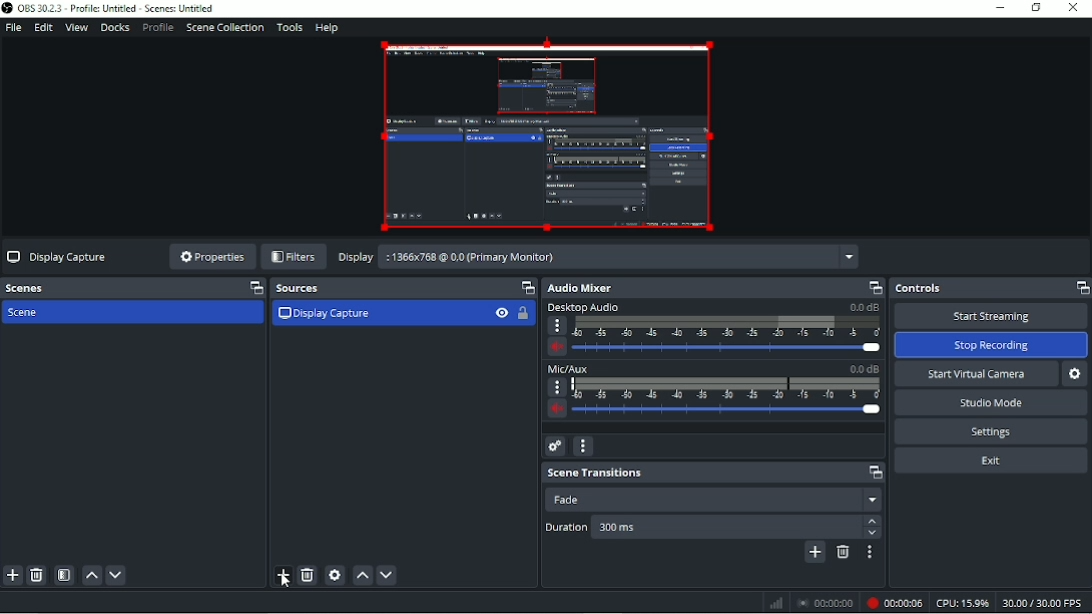  What do you see at coordinates (990, 431) in the screenshot?
I see `Settings` at bounding box center [990, 431].